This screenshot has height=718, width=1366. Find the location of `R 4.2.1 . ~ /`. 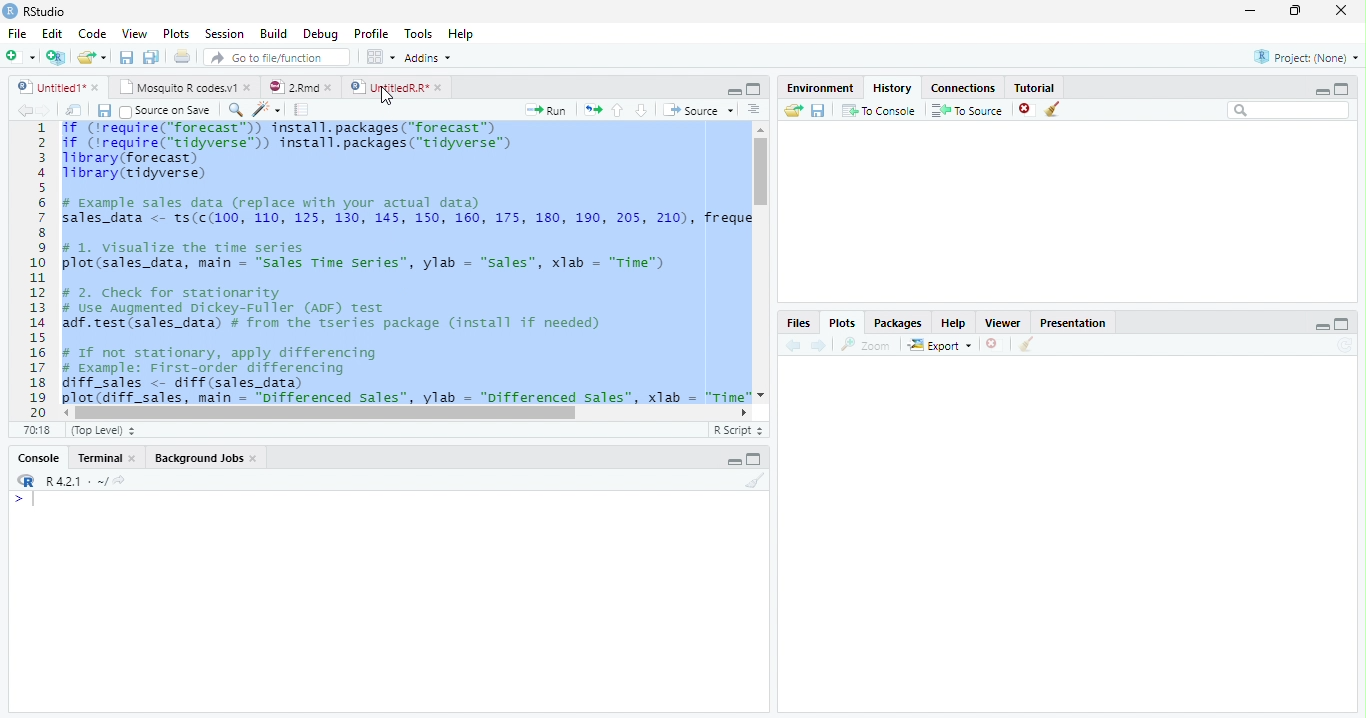

R 4.2.1 . ~ / is located at coordinates (76, 482).